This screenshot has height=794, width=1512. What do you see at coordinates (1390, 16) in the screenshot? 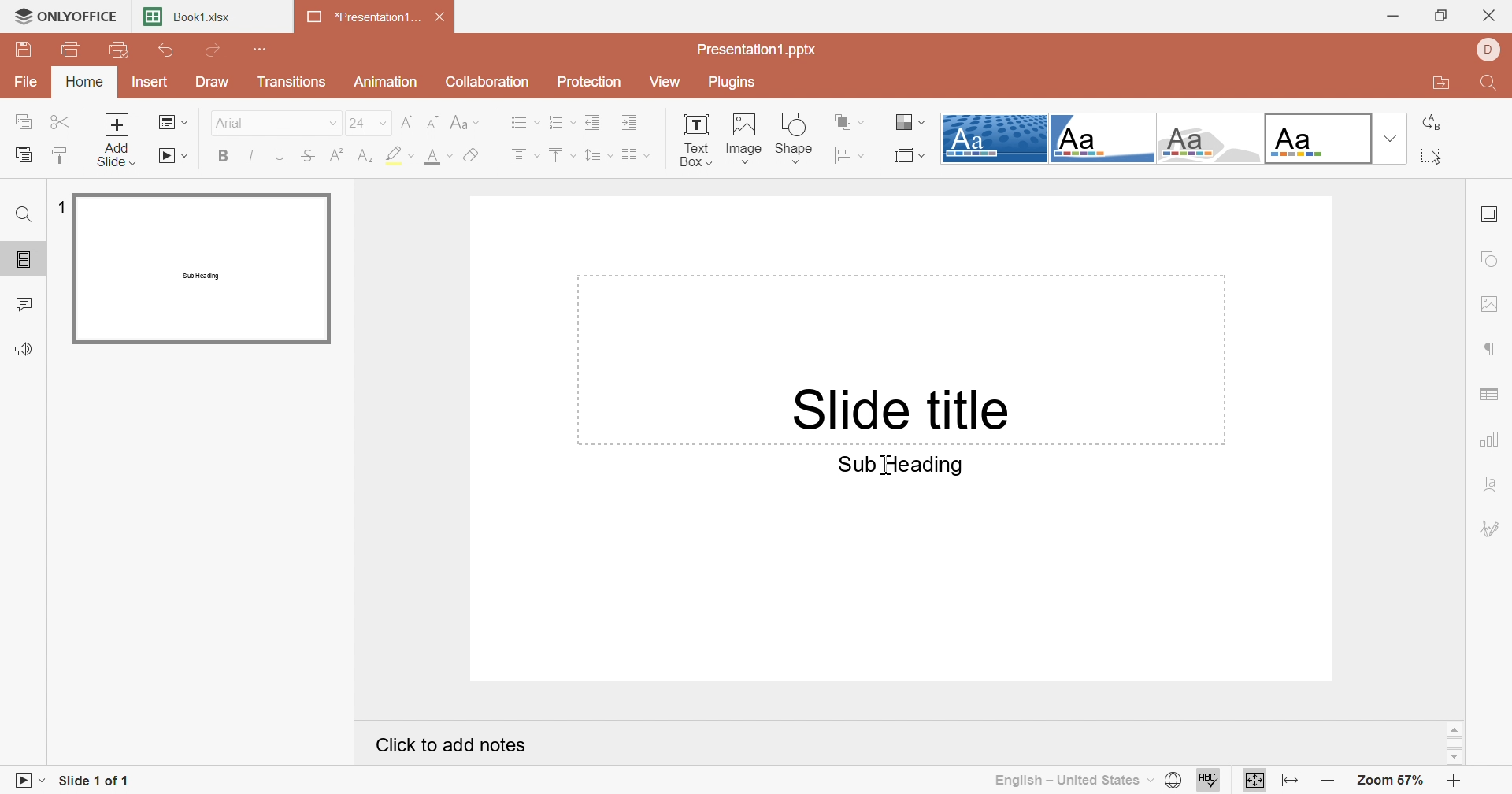
I see `Minimize` at bounding box center [1390, 16].